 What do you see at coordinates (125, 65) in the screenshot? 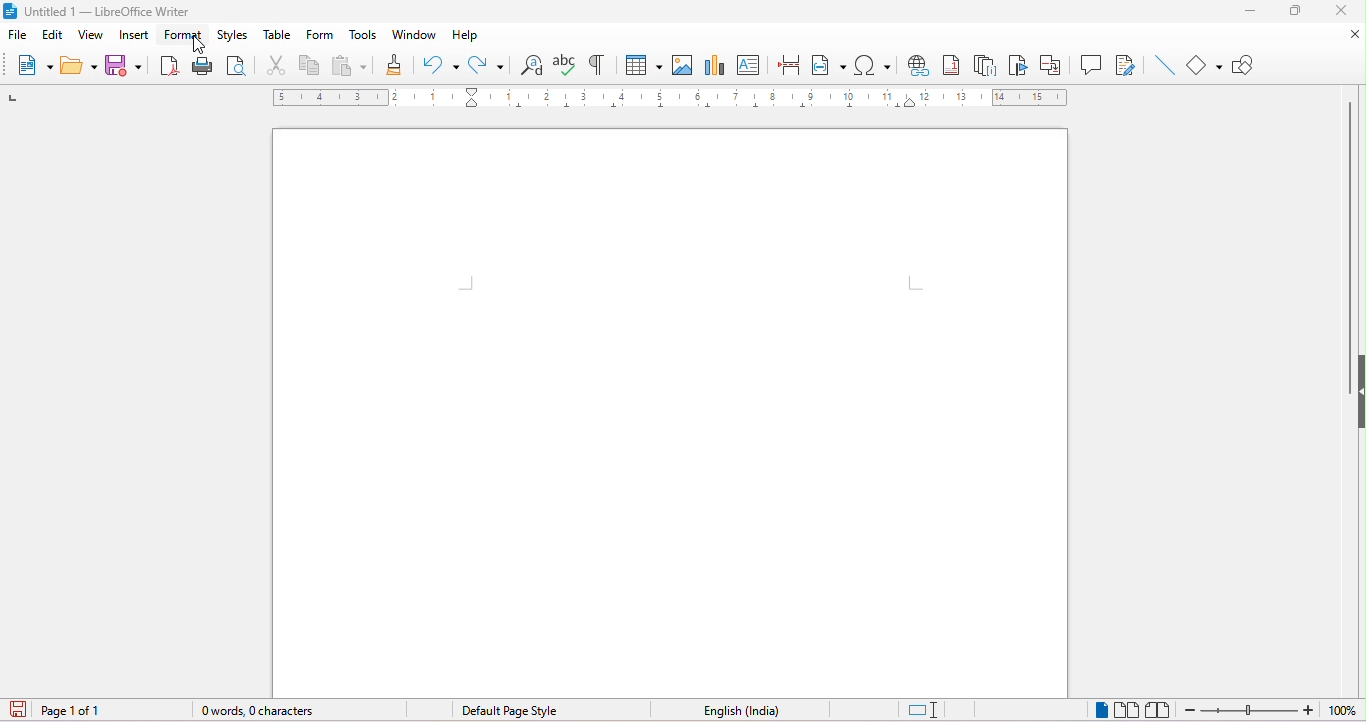
I see `save` at bounding box center [125, 65].